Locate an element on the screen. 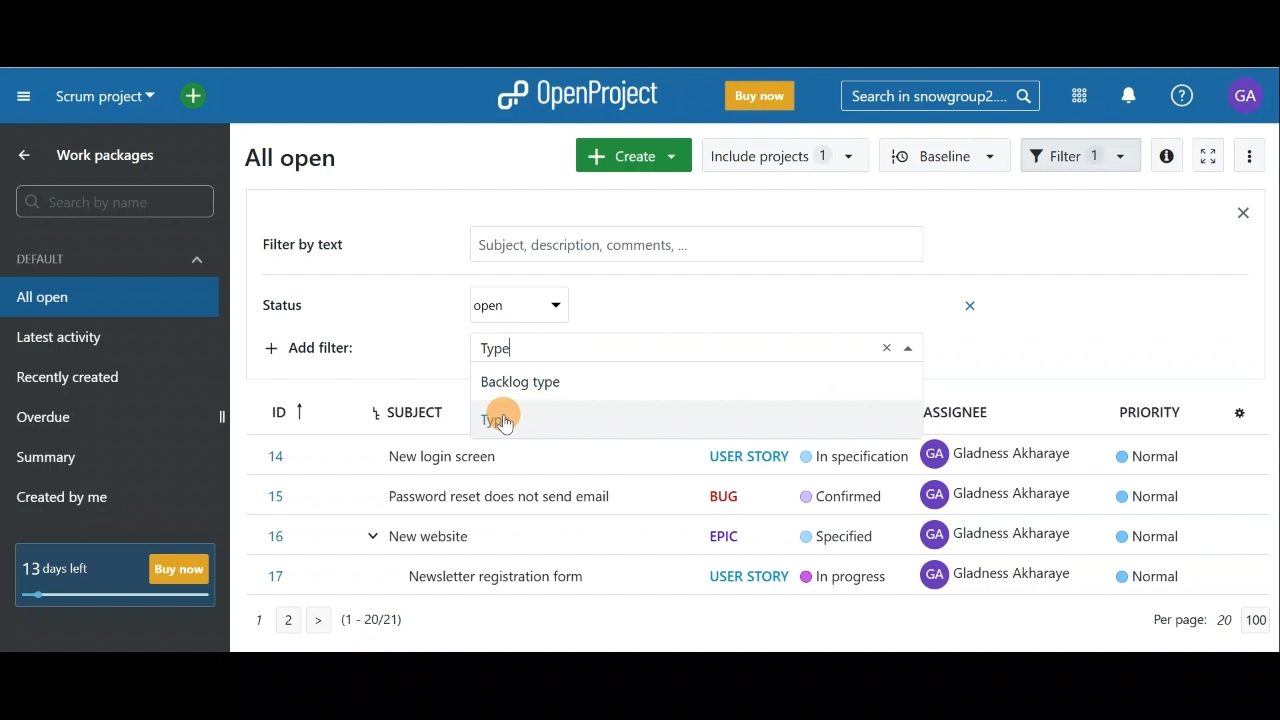 The width and height of the screenshot is (1280, 720). Remove is located at coordinates (972, 305).